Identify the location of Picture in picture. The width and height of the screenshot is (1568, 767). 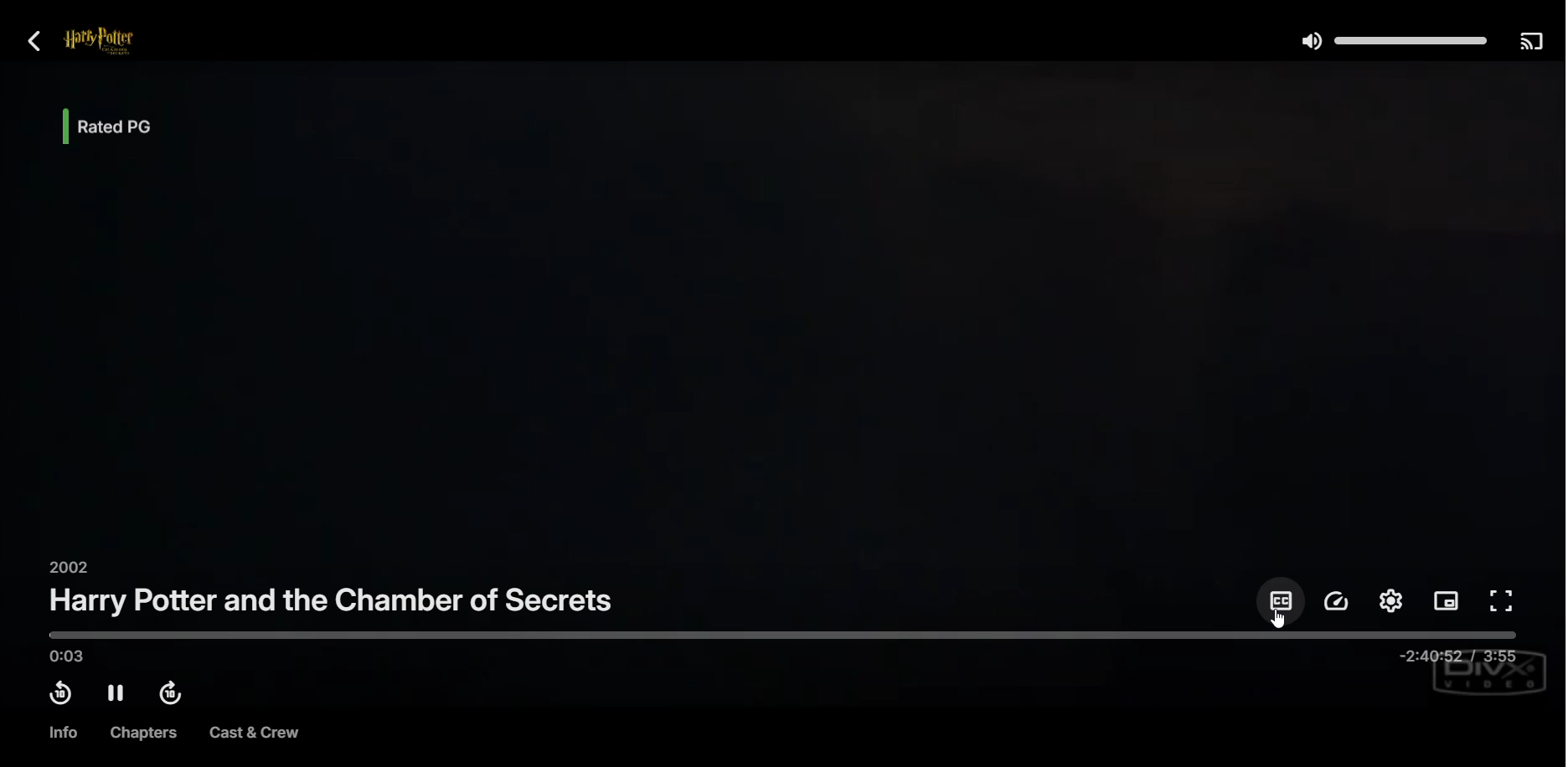
(1447, 603).